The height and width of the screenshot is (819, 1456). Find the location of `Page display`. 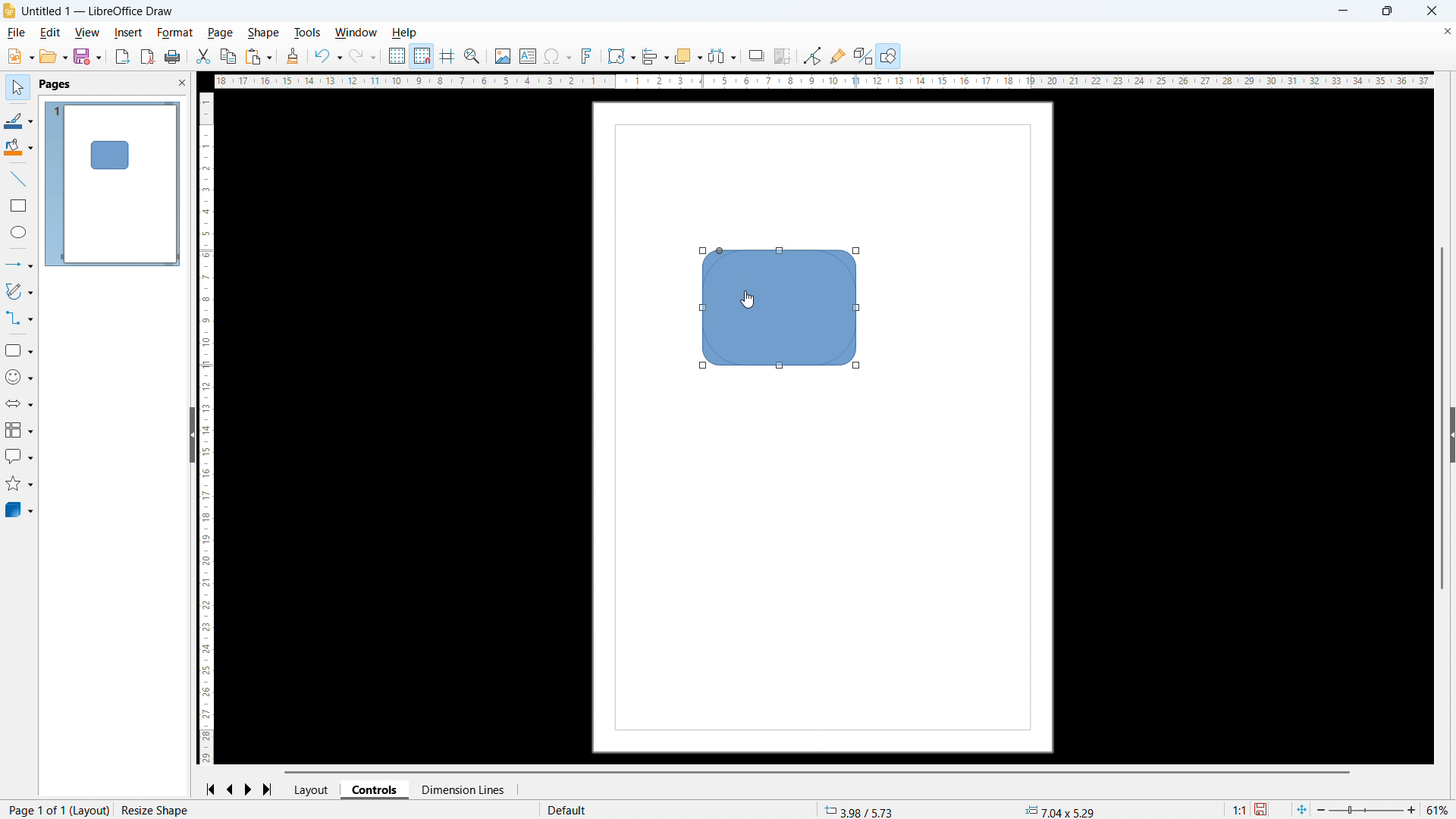

Page display is located at coordinates (112, 183).